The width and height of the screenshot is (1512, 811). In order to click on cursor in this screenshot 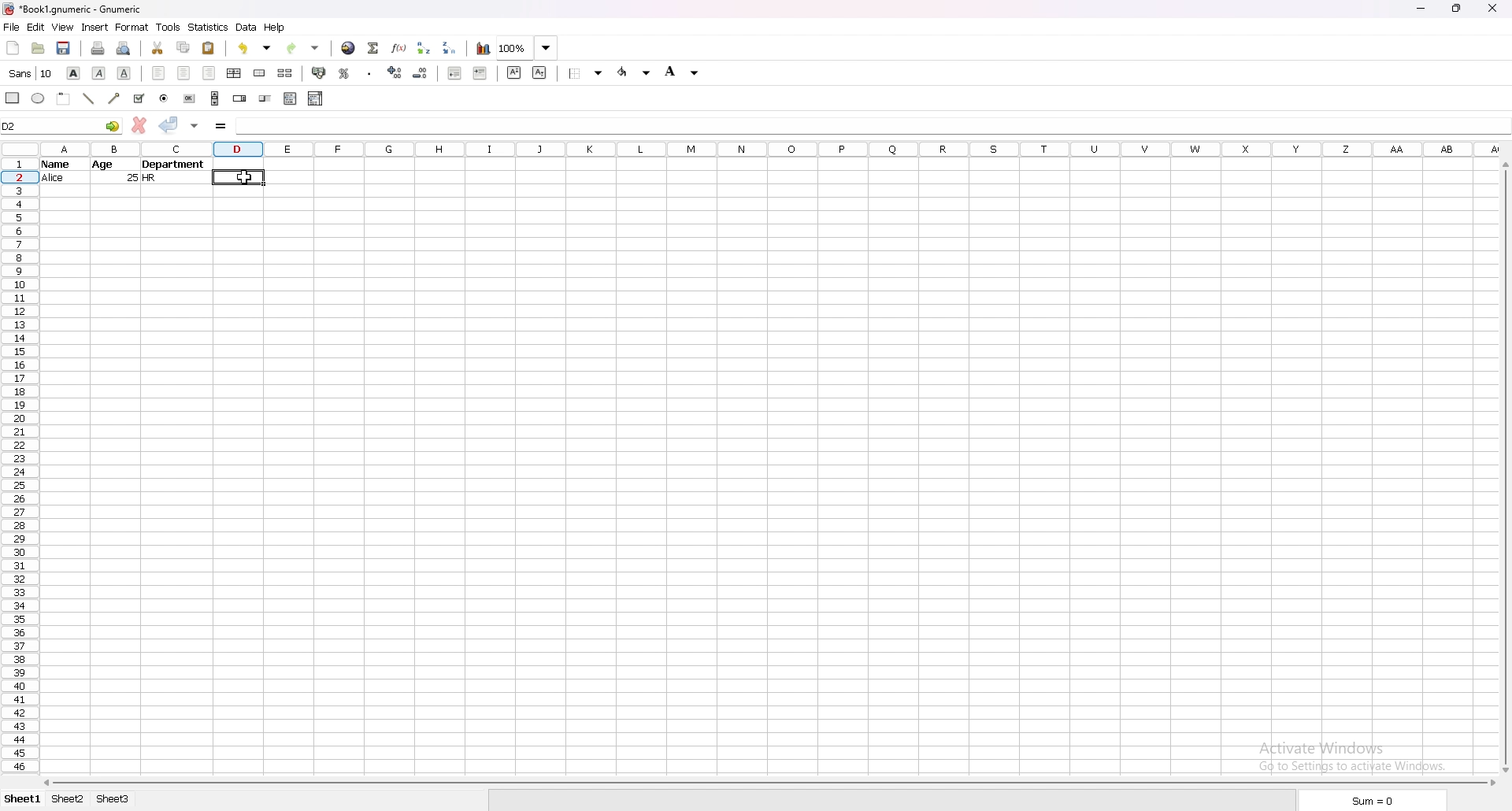, I will do `click(245, 176)`.